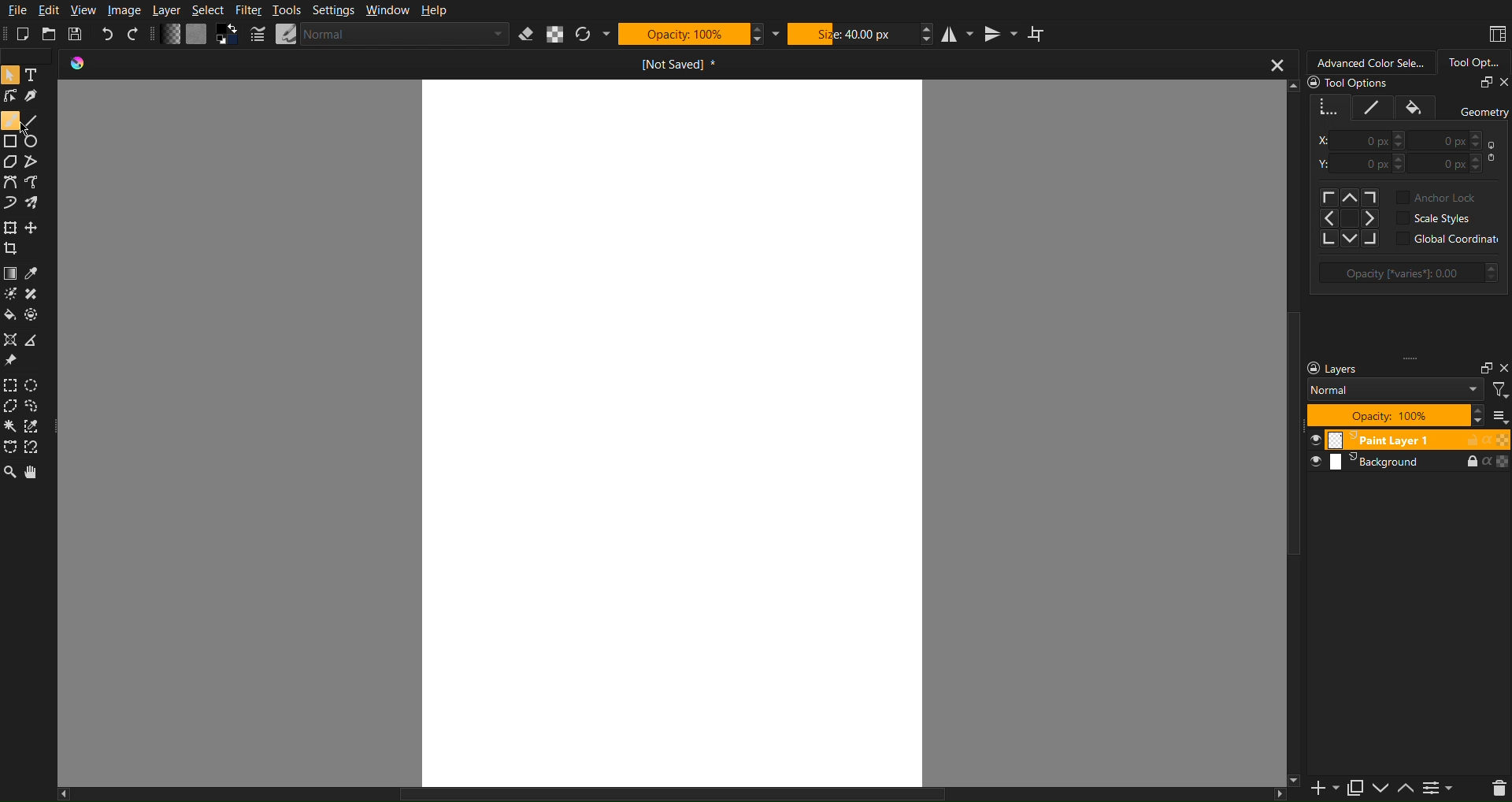  Describe the element at coordinates (209, 10) in the screenshot. I see `Select` at that location.